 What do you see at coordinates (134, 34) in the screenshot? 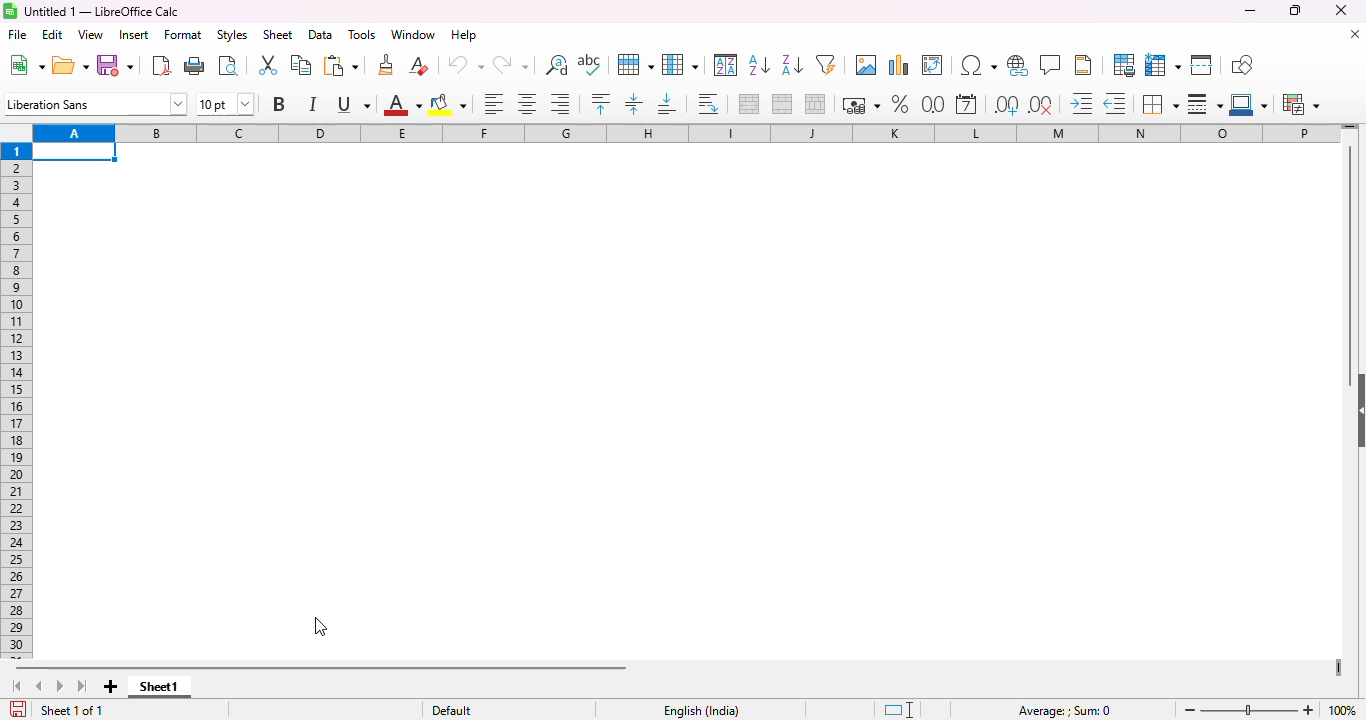
I see `insert` at bounding box center [134, 34].